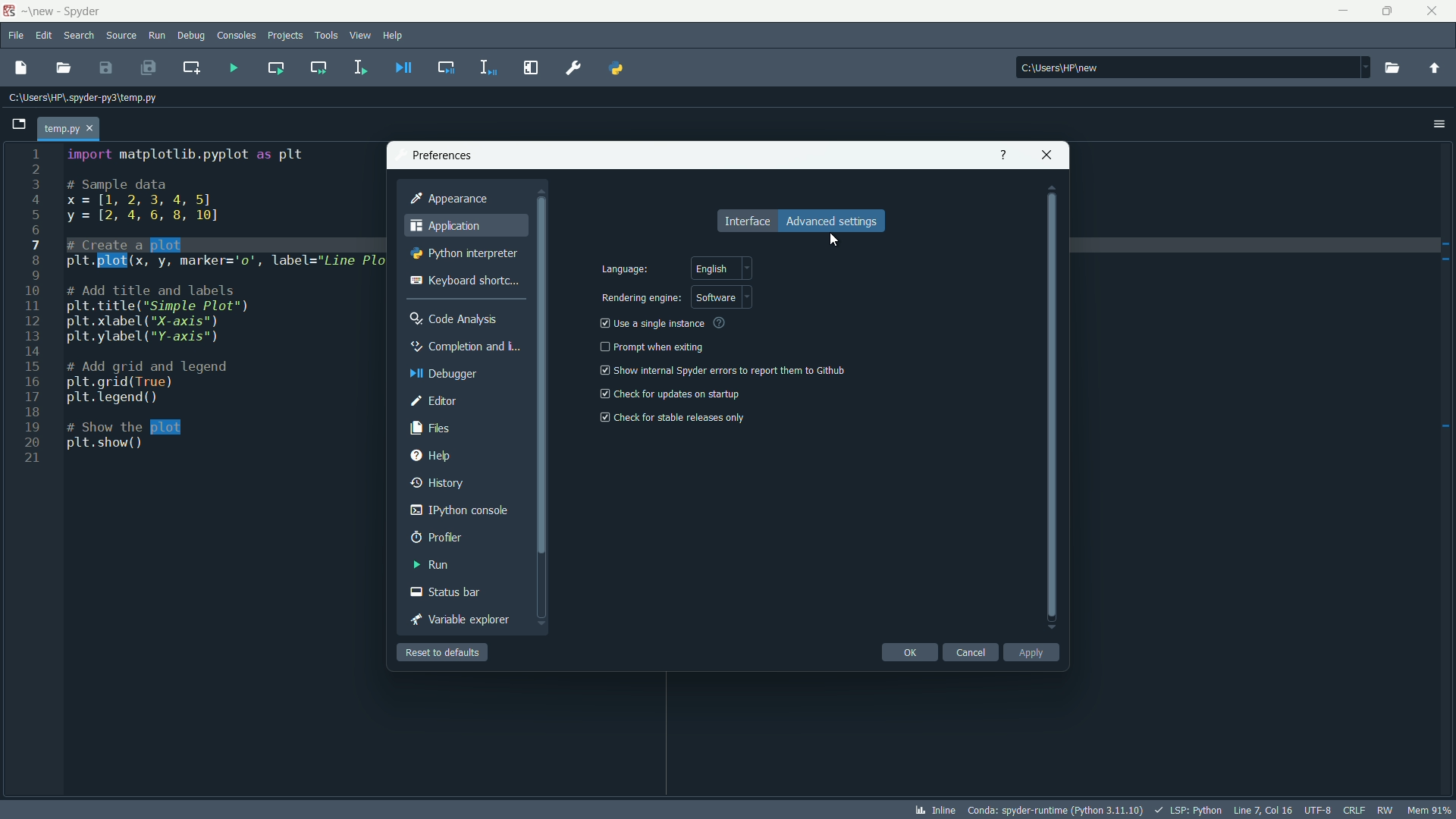  I want to click on check box, so click(603, 322).